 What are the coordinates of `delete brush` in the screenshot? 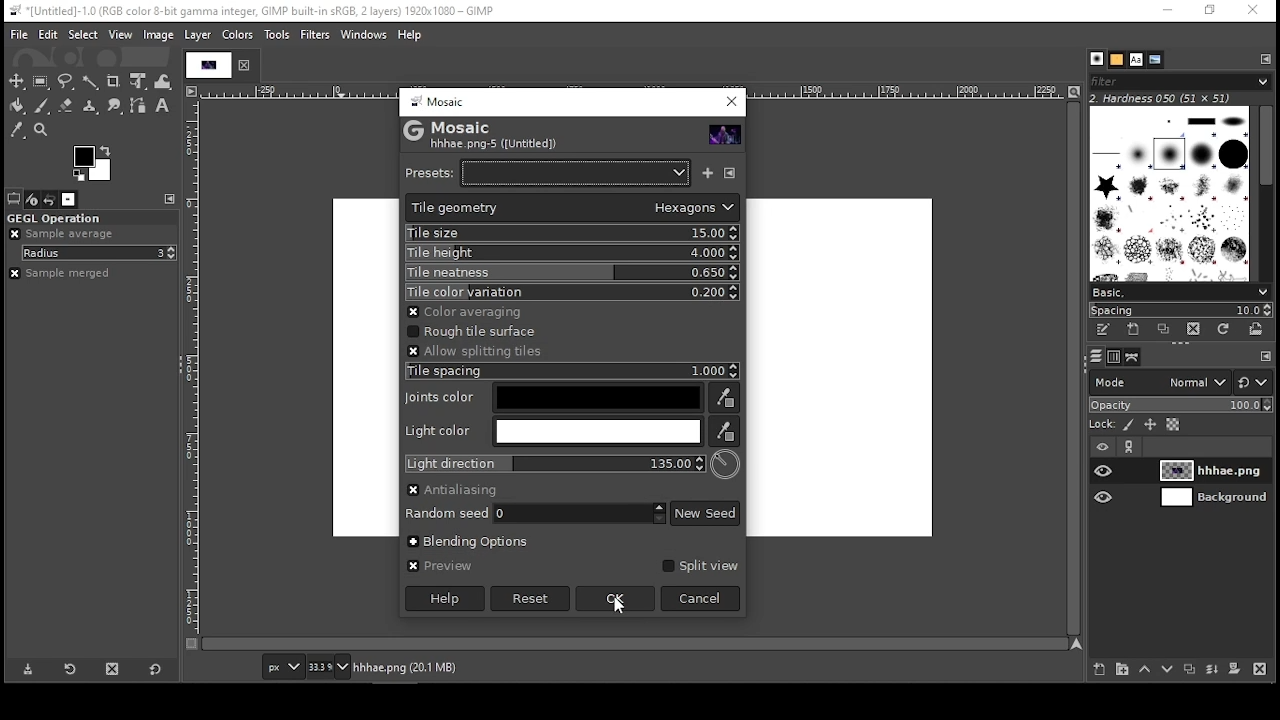 It's located at (1192, 330).